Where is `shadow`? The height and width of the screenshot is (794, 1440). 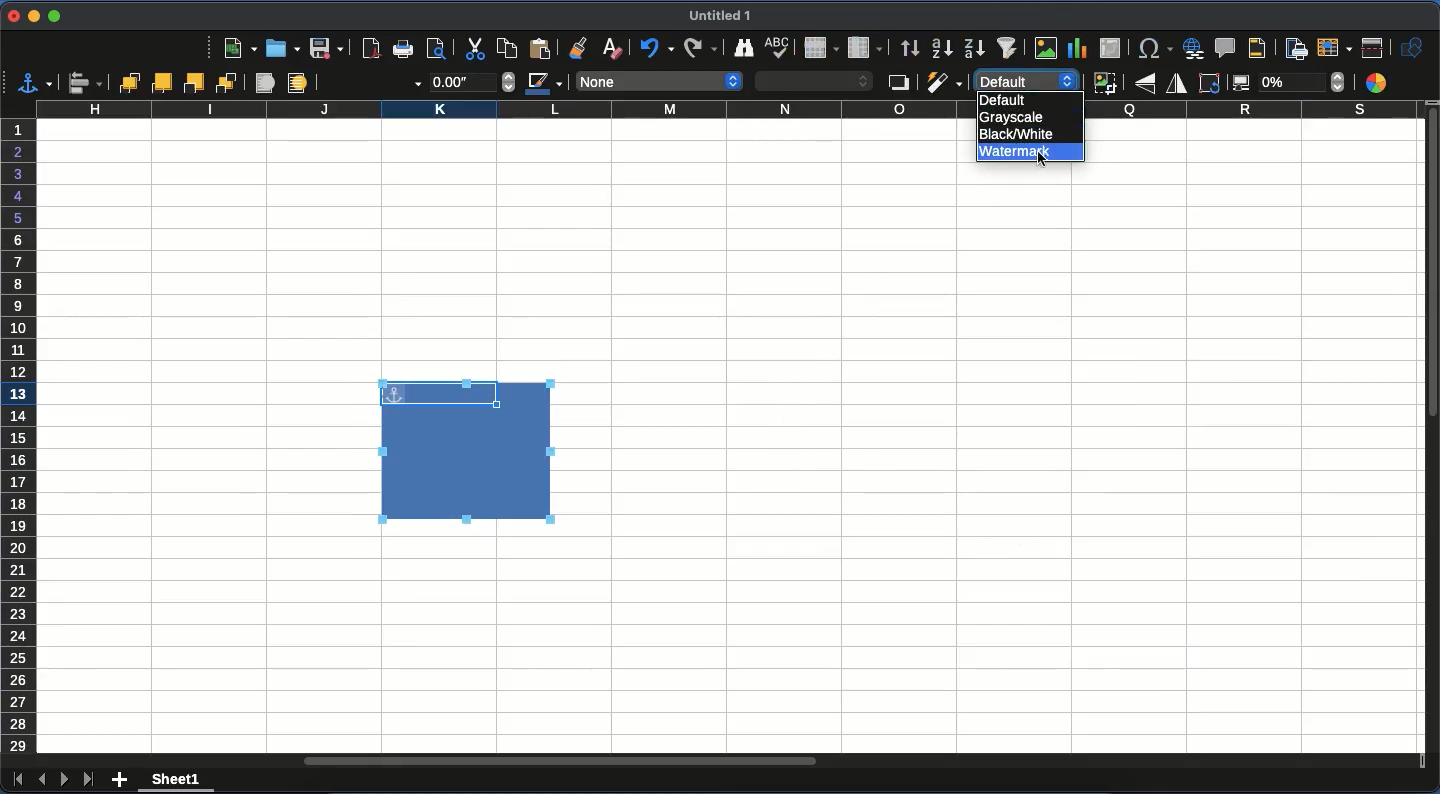 shadow is located at coordinates (898, 84).